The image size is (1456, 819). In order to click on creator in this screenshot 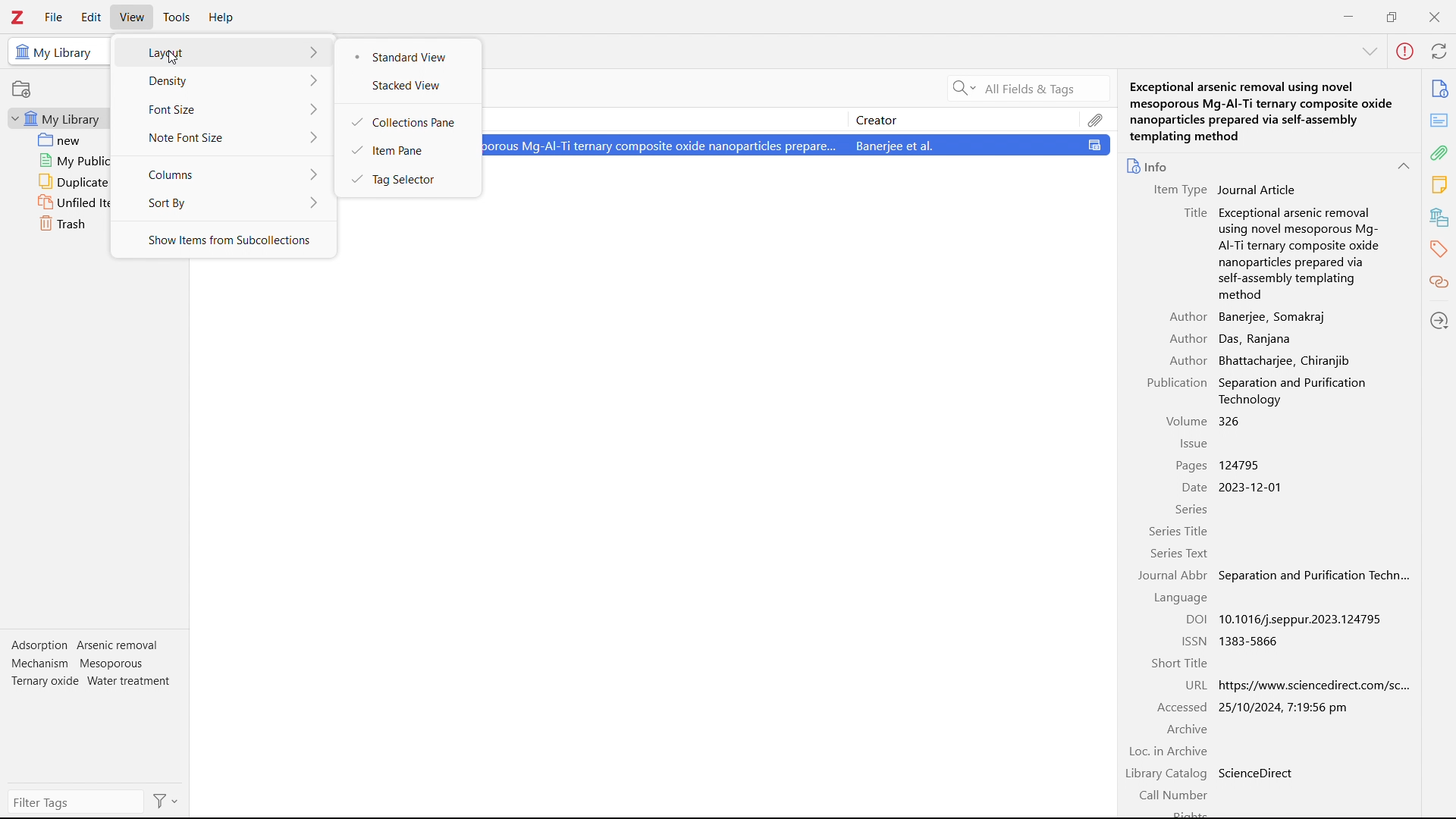, I will do `click(965, 118)`.